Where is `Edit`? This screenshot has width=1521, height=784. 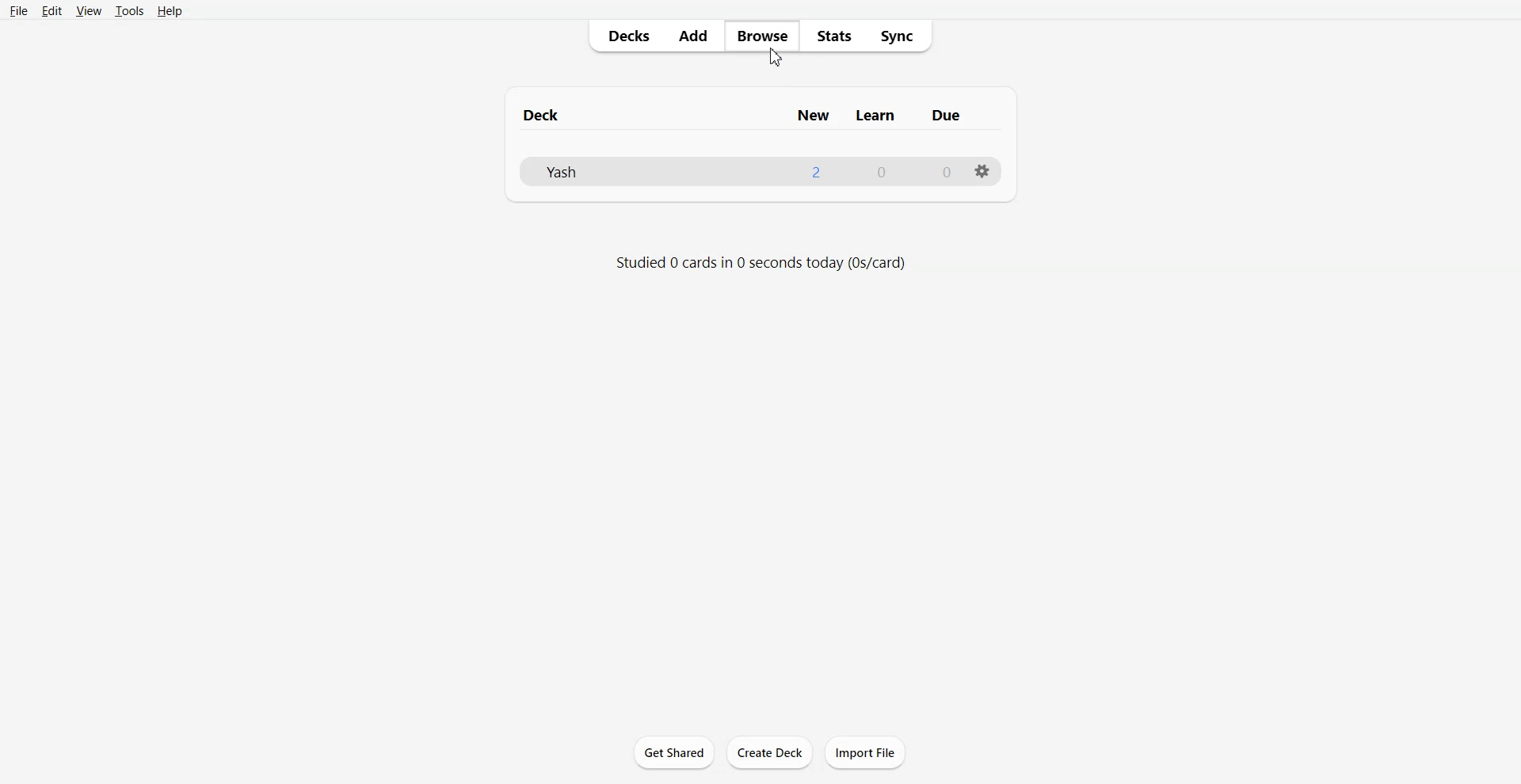 Edit is located at coordinates (52, 10).